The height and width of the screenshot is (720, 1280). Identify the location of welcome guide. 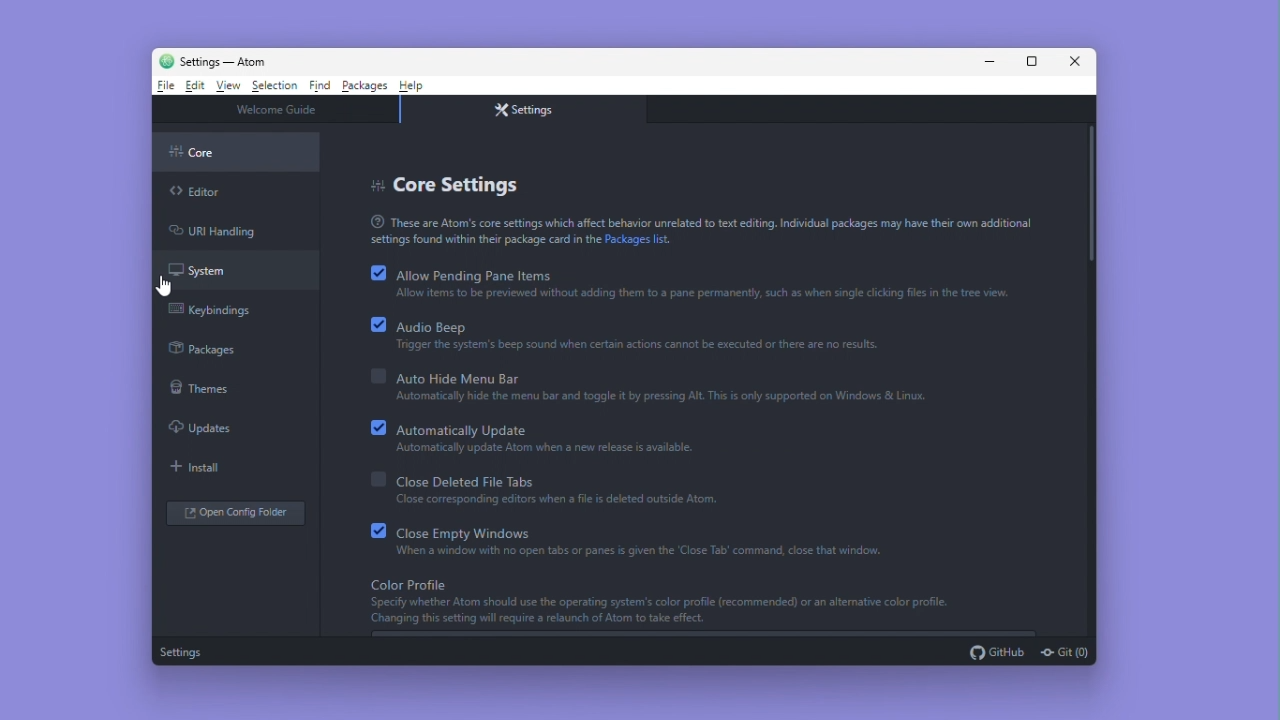
(281, 108).